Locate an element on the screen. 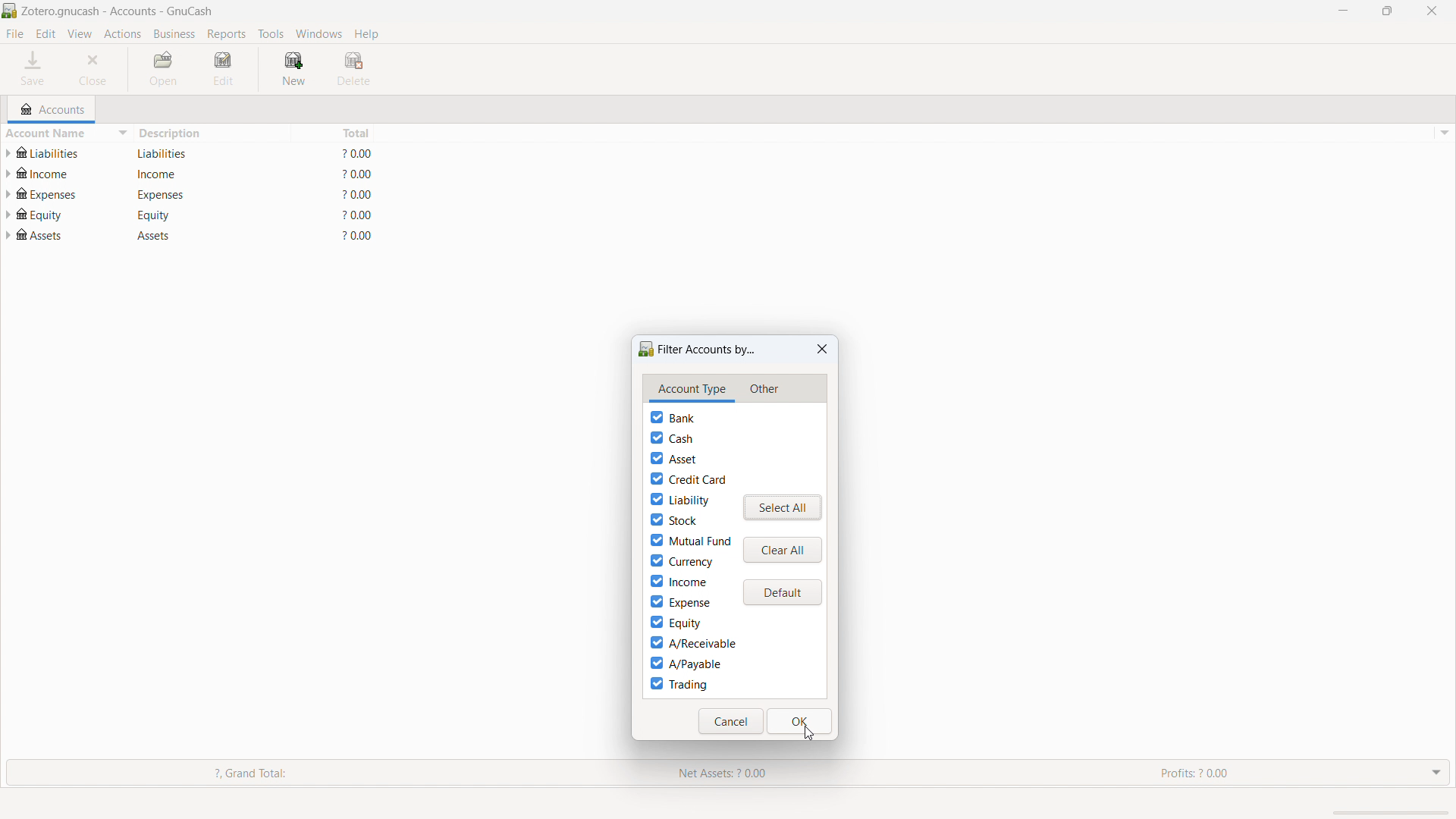 The height and width of the screenshot is (819, 1456). cursor is located at coordinates (808, 736).